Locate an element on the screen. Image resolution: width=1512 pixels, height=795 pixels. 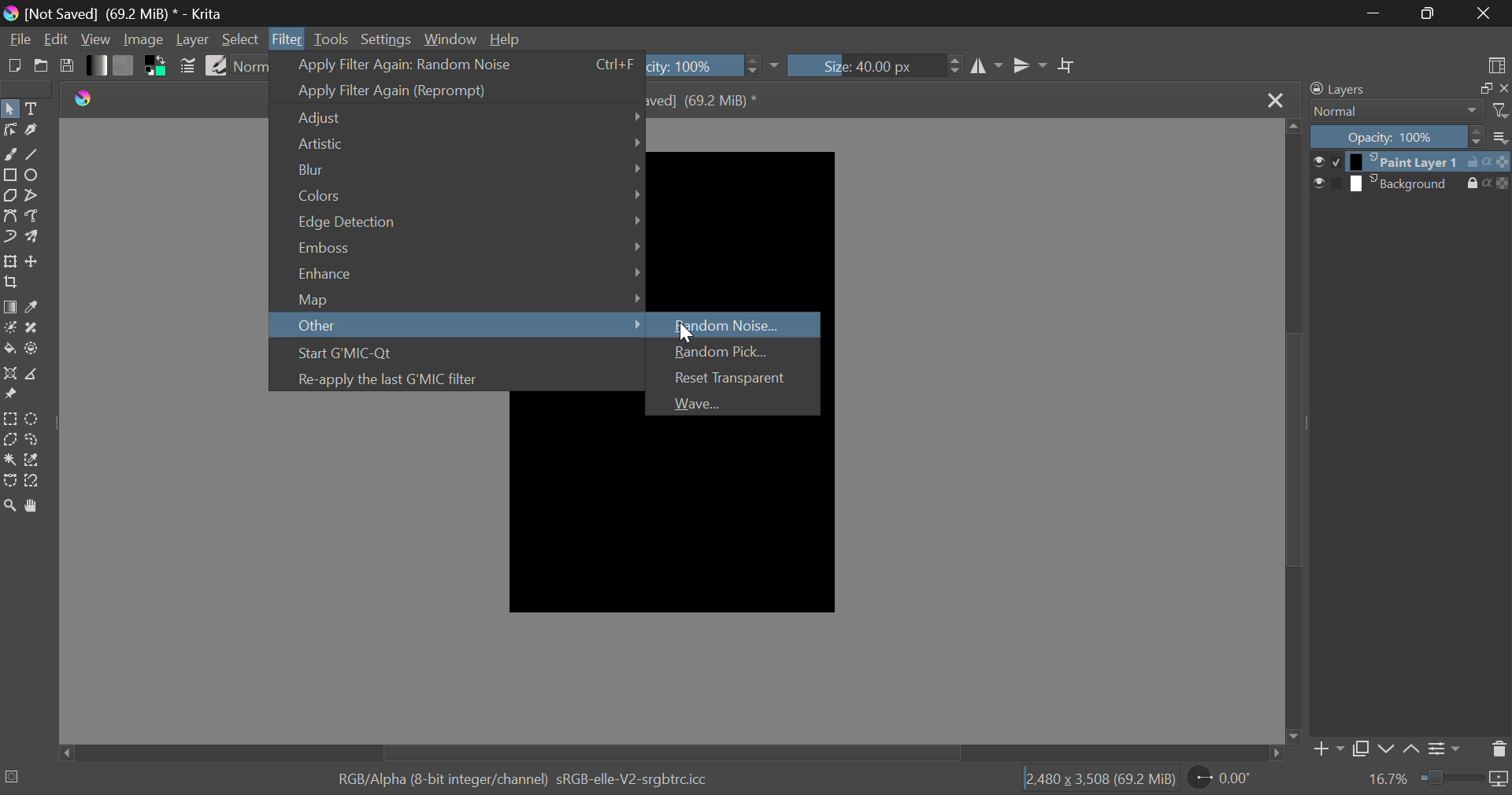
move down is located at coordinates (1294, 733).